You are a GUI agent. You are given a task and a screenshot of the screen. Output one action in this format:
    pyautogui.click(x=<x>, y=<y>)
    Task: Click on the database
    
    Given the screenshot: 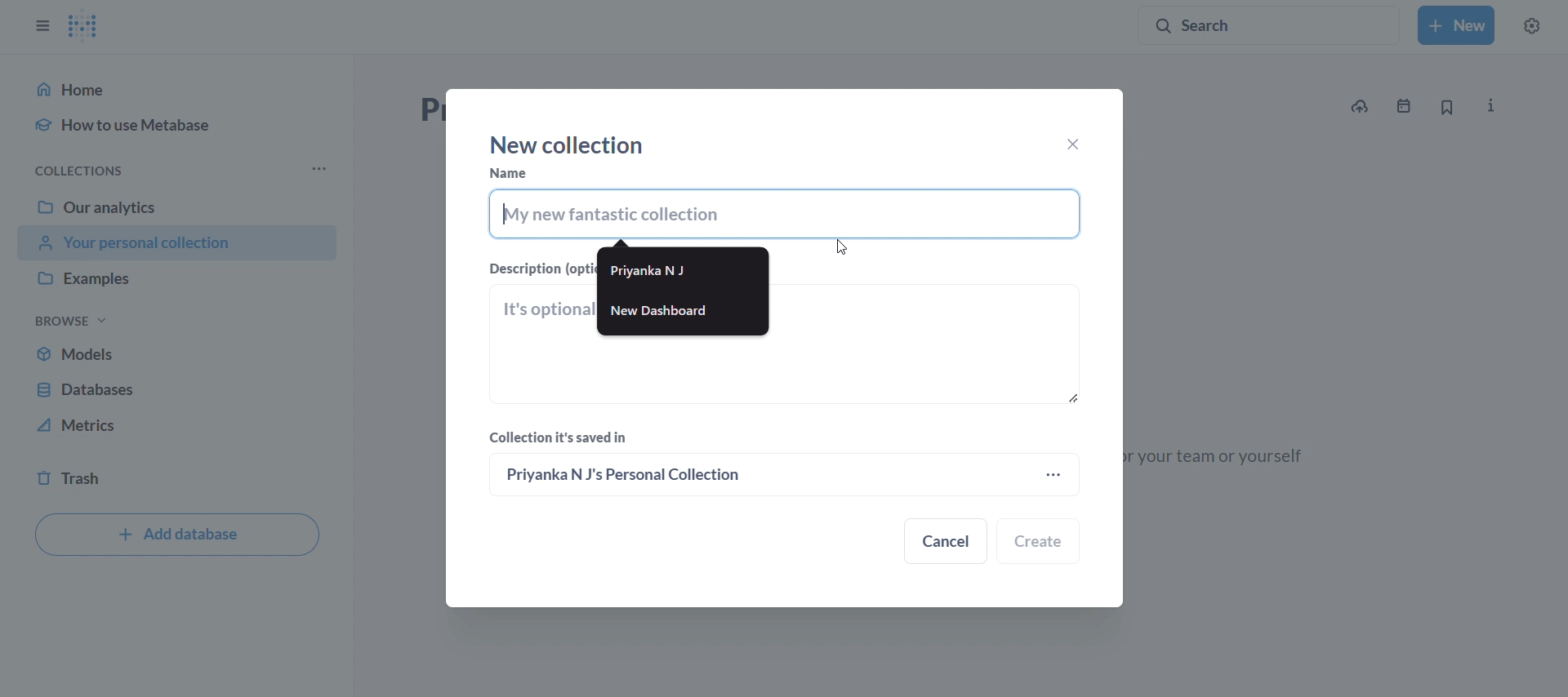 What is the action you would take?
    pyautogui.click(x=176, y=388)
    